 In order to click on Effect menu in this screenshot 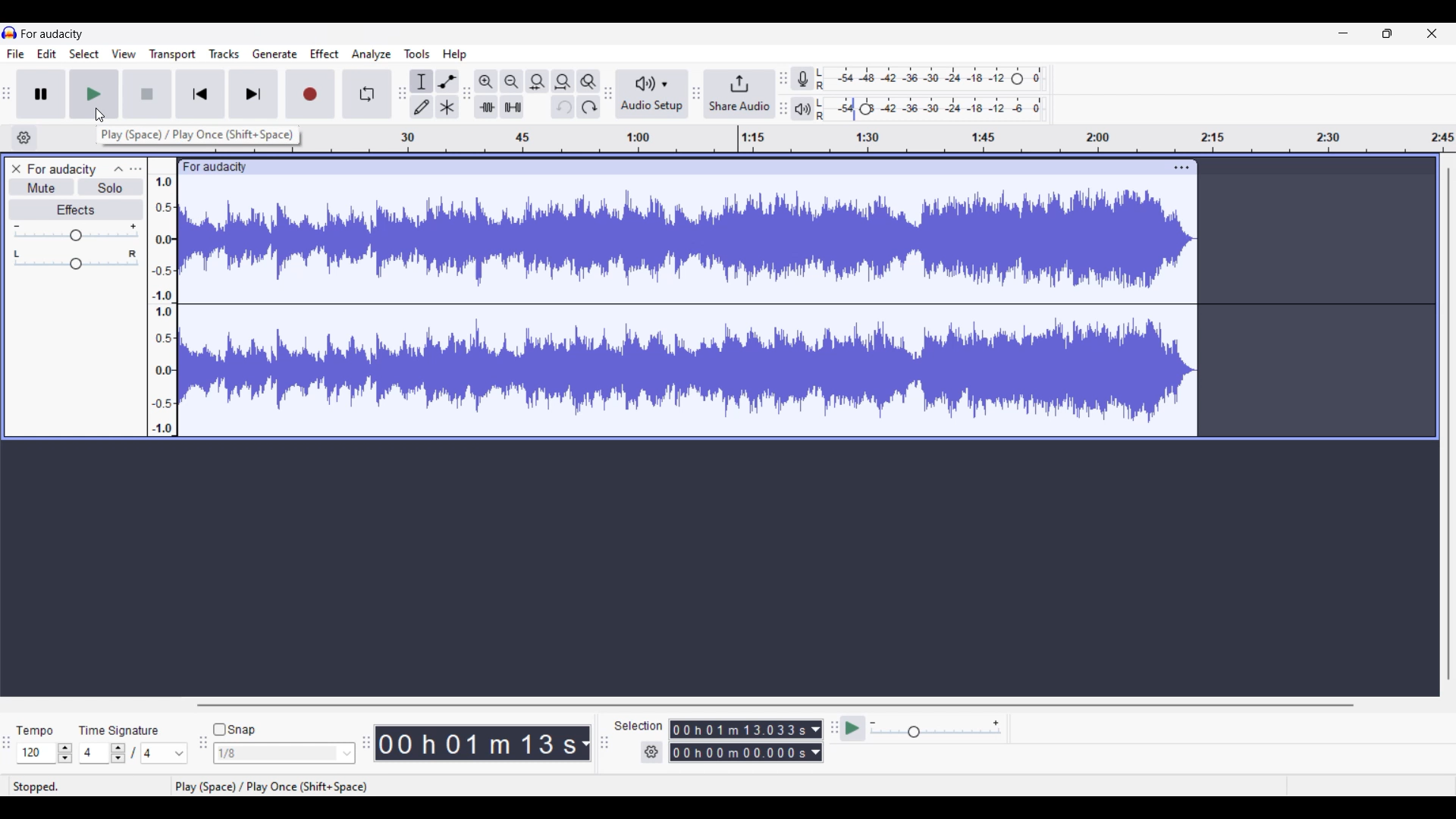, I will do `click(325, 53)`.